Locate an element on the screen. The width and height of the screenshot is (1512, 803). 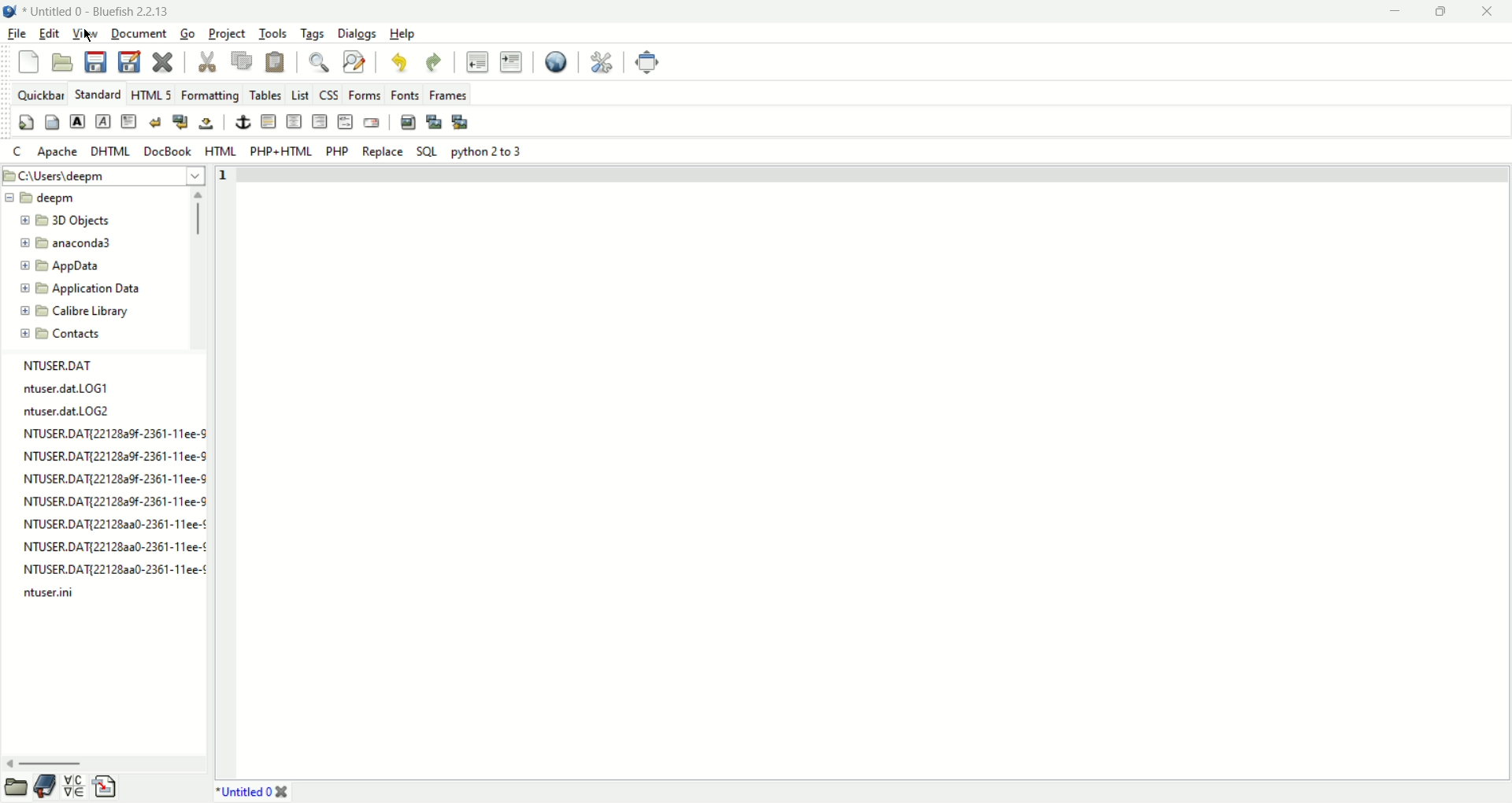
document name is located at coordinates (102, 9).